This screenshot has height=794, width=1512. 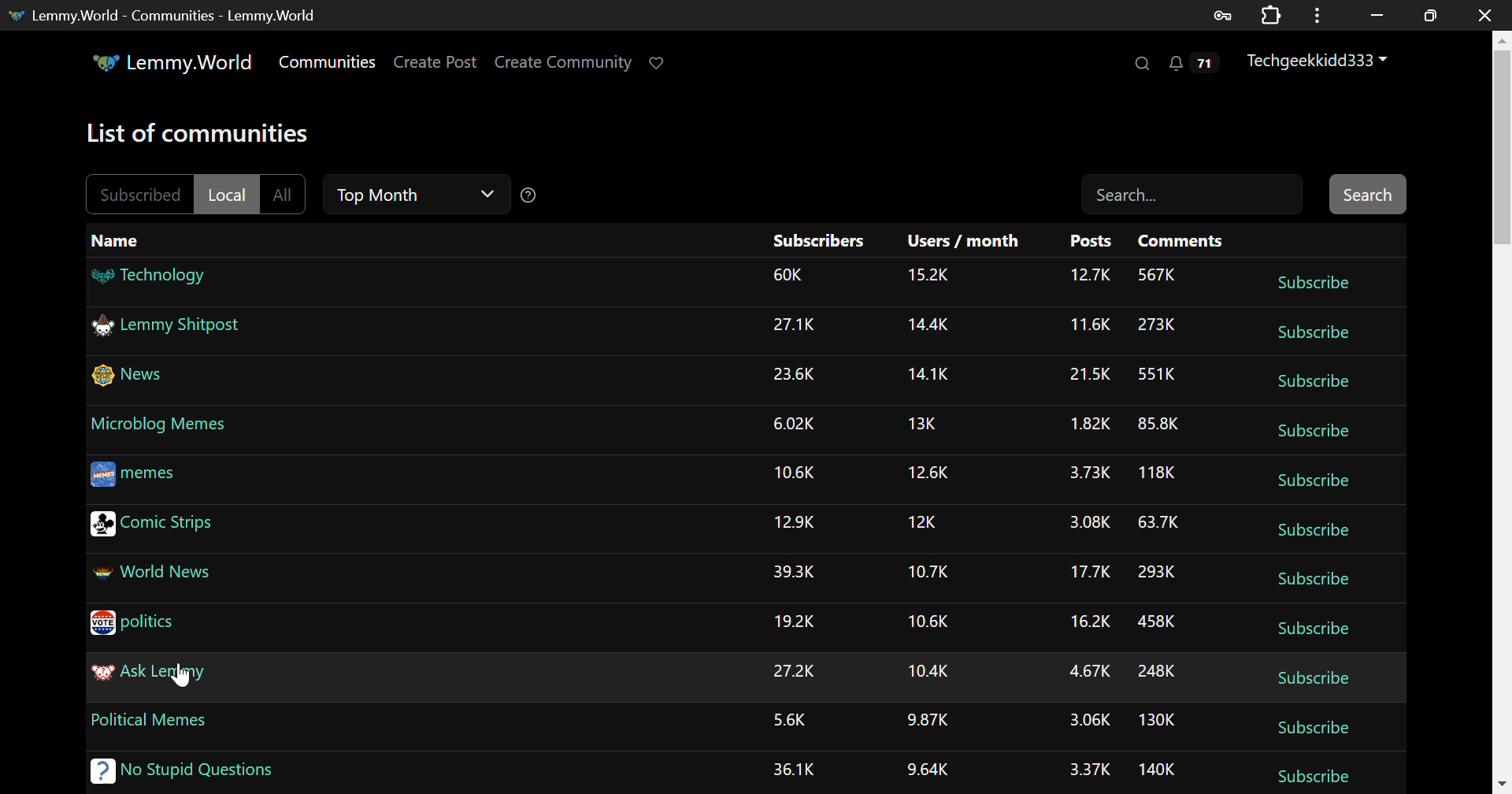 I want to click on Amount, so click(x=1156, y=723).